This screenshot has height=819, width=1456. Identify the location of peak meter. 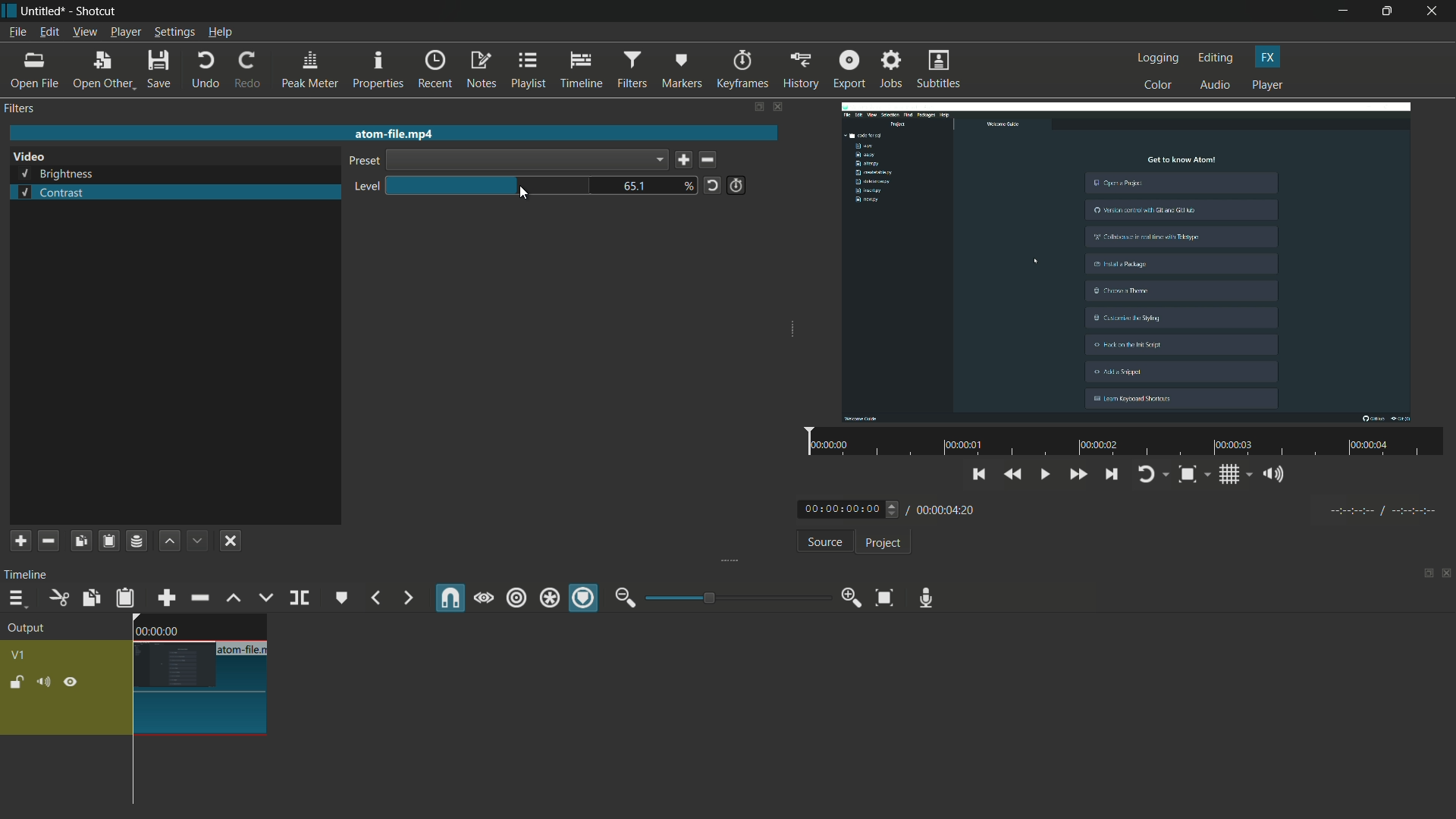
(309, 70).